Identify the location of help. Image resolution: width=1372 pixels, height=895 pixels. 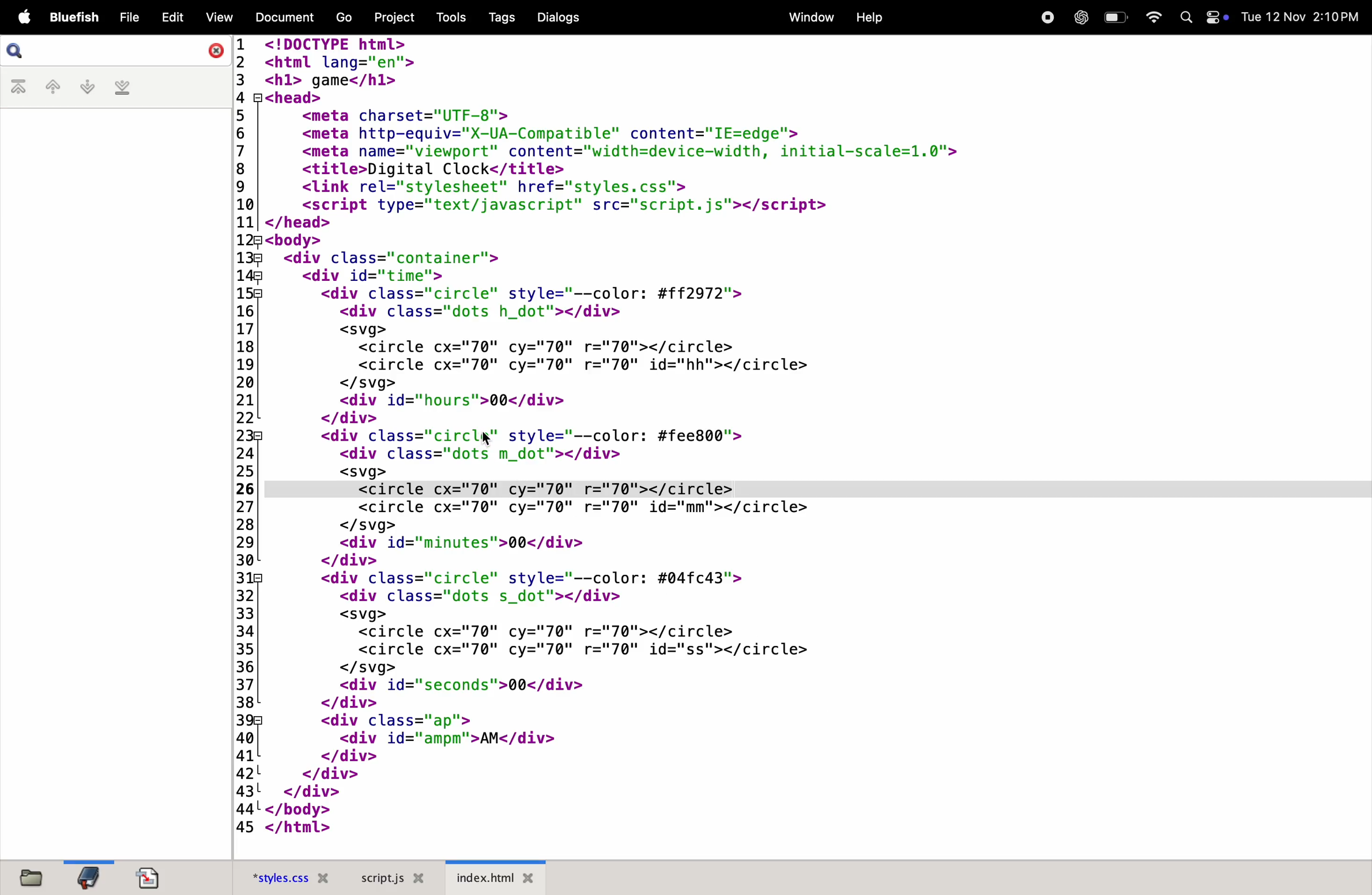
(872, 19).